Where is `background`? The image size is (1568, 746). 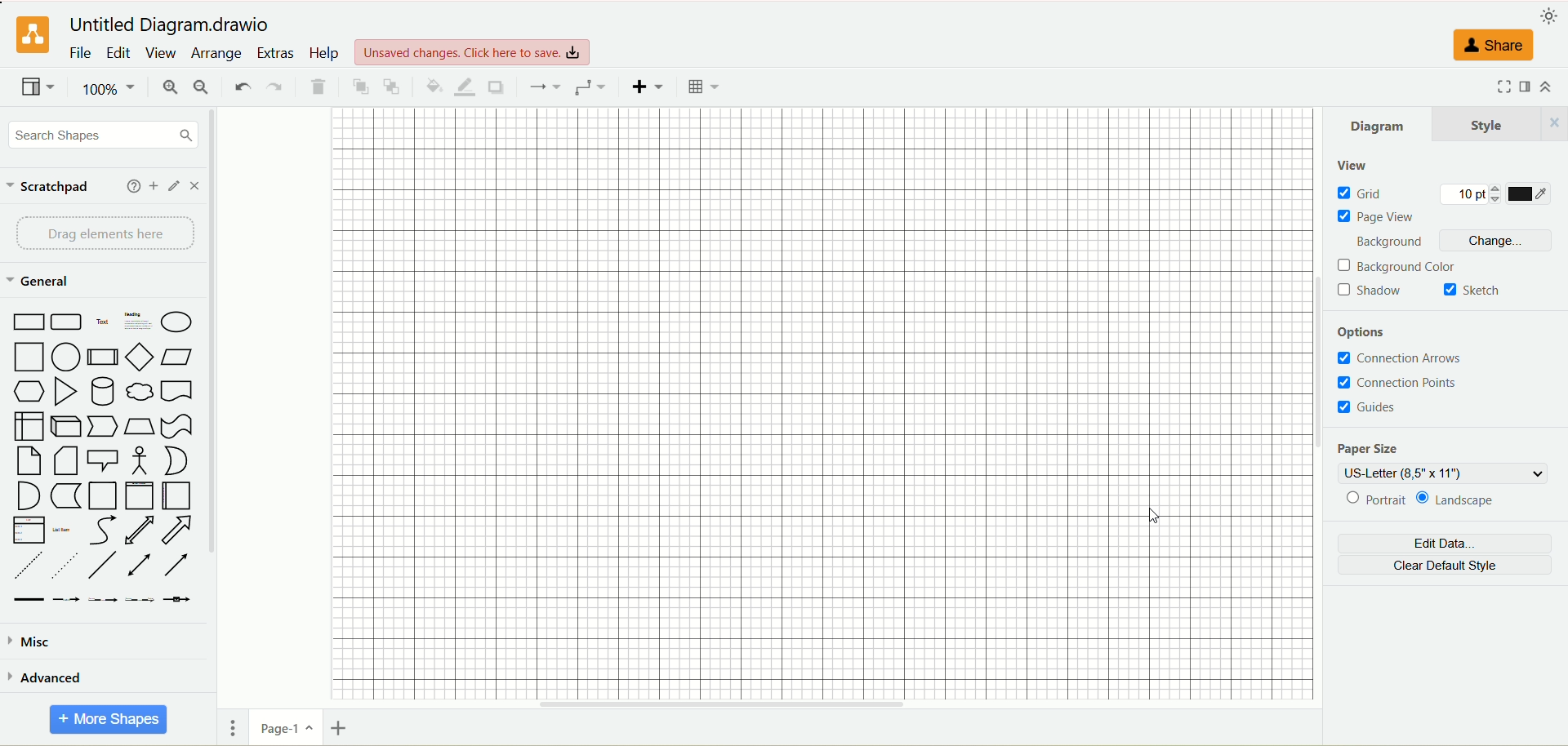 background is located at coordinates (1386, 242).